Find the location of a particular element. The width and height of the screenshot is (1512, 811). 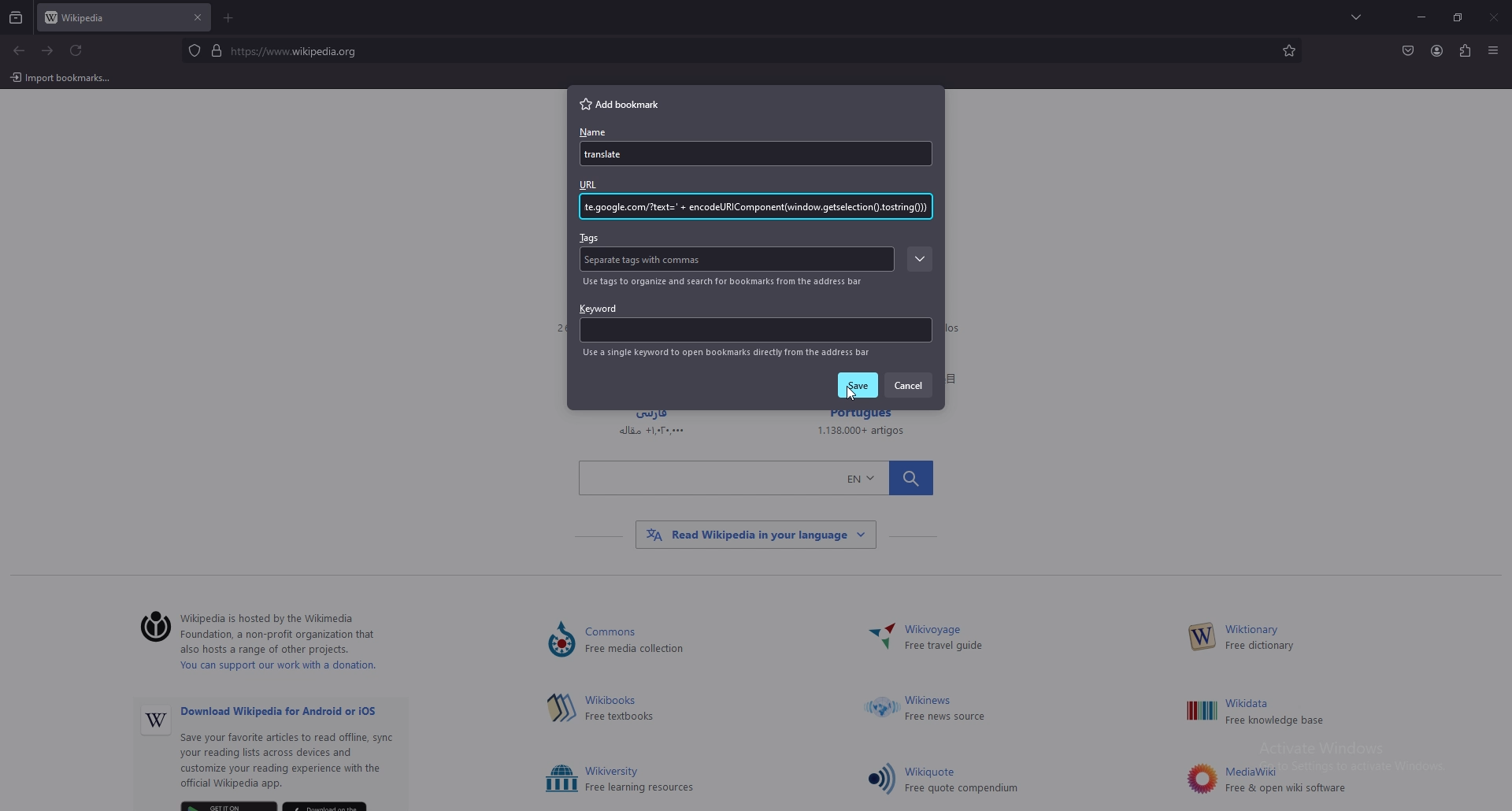

Tag is located at coordinates (650, 261).